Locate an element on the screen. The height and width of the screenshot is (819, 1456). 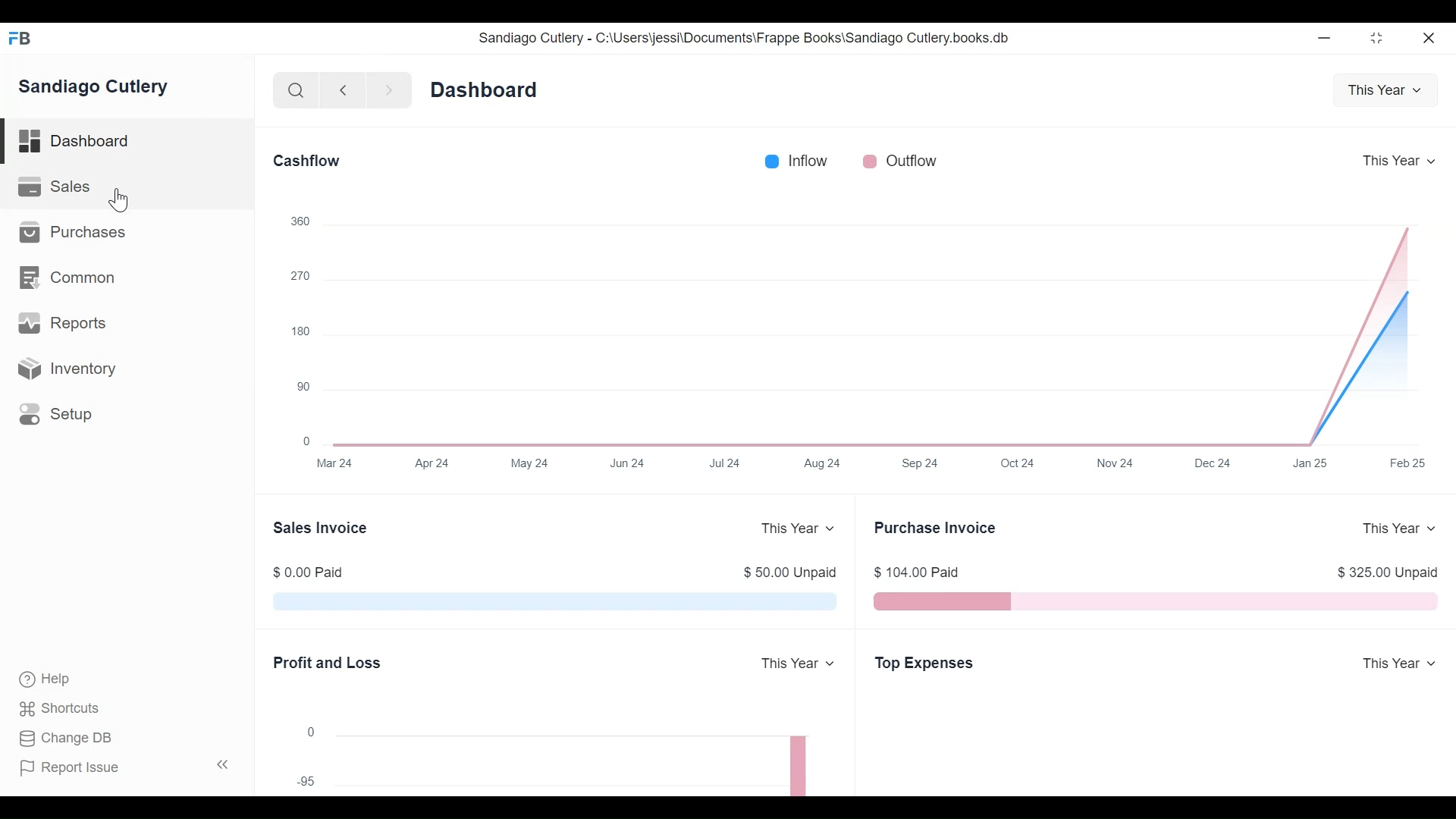
Inflow is located at coordinates (808, 160).